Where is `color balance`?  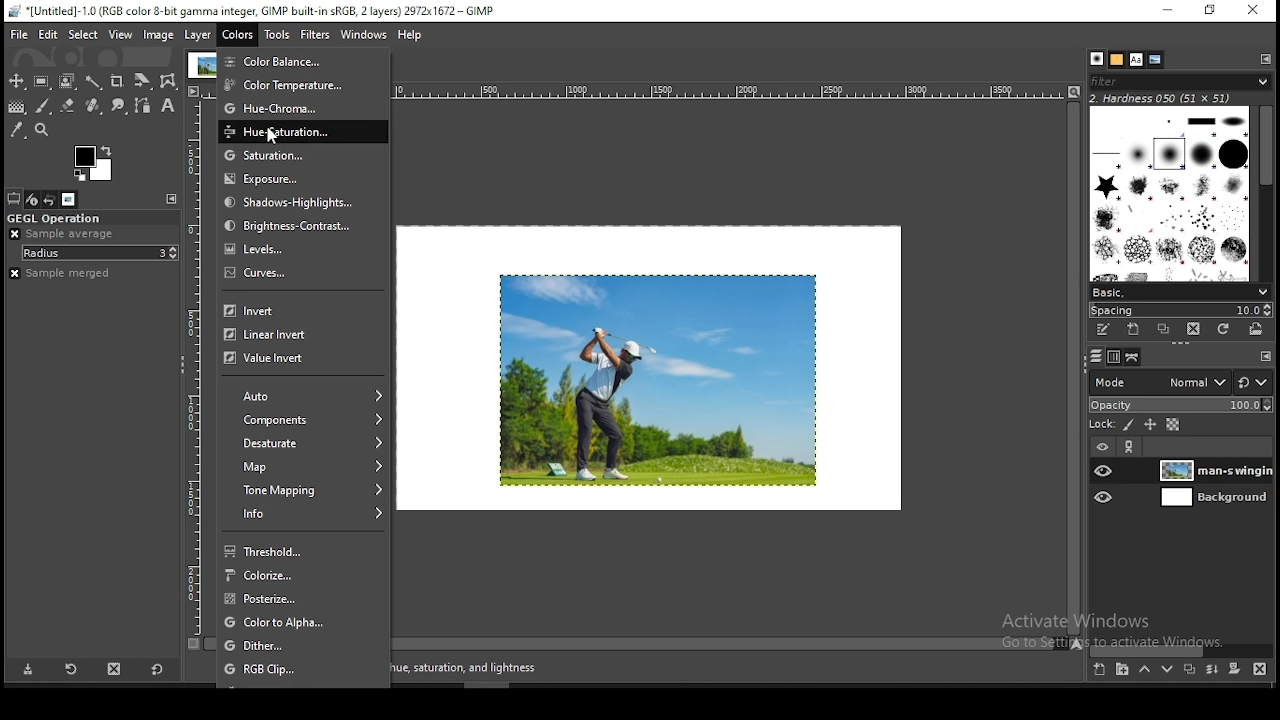 color balance is located at coordinates (303, 60).